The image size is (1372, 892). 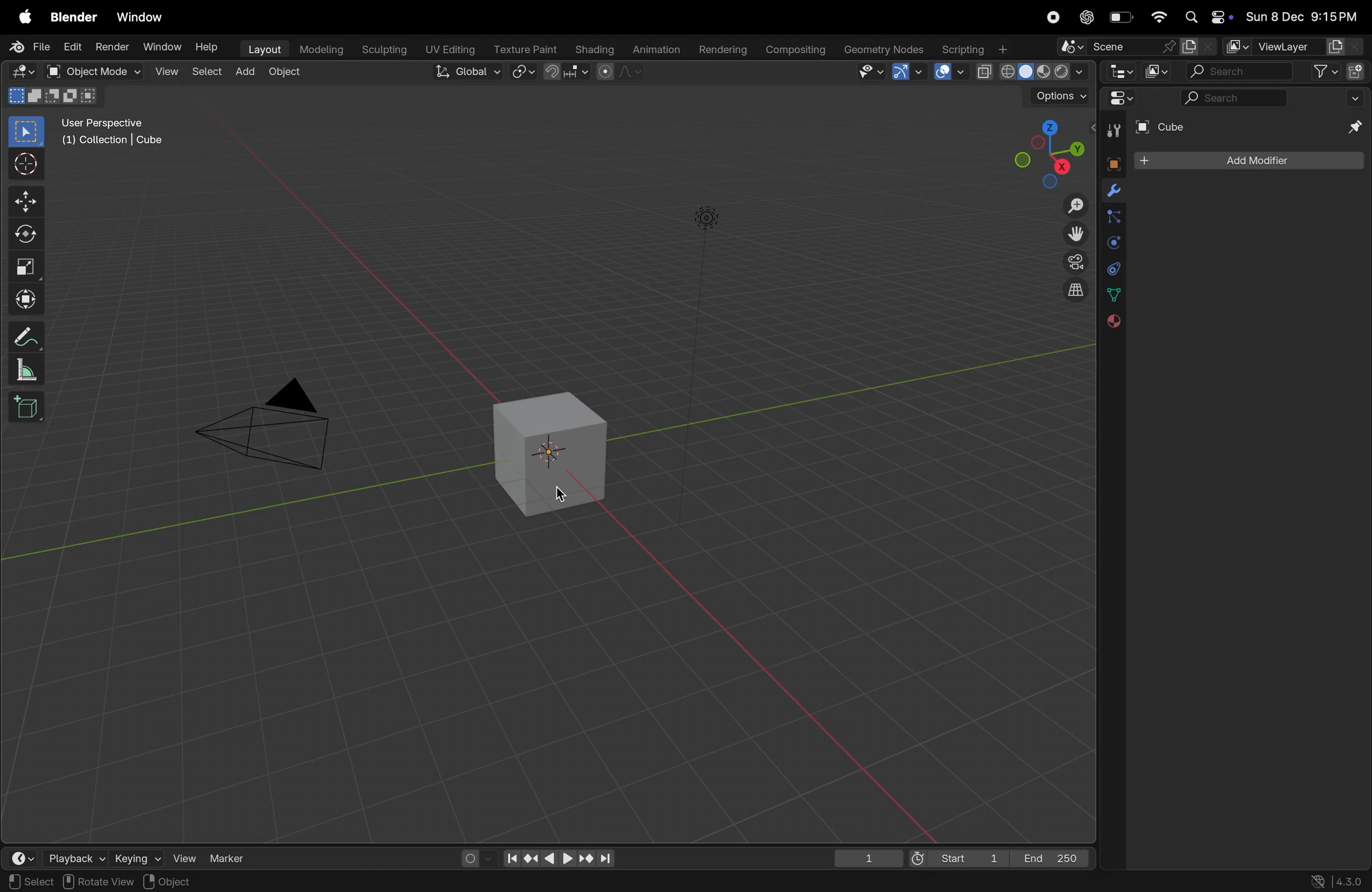 I want to click on keying, so click(x=135, y=857).